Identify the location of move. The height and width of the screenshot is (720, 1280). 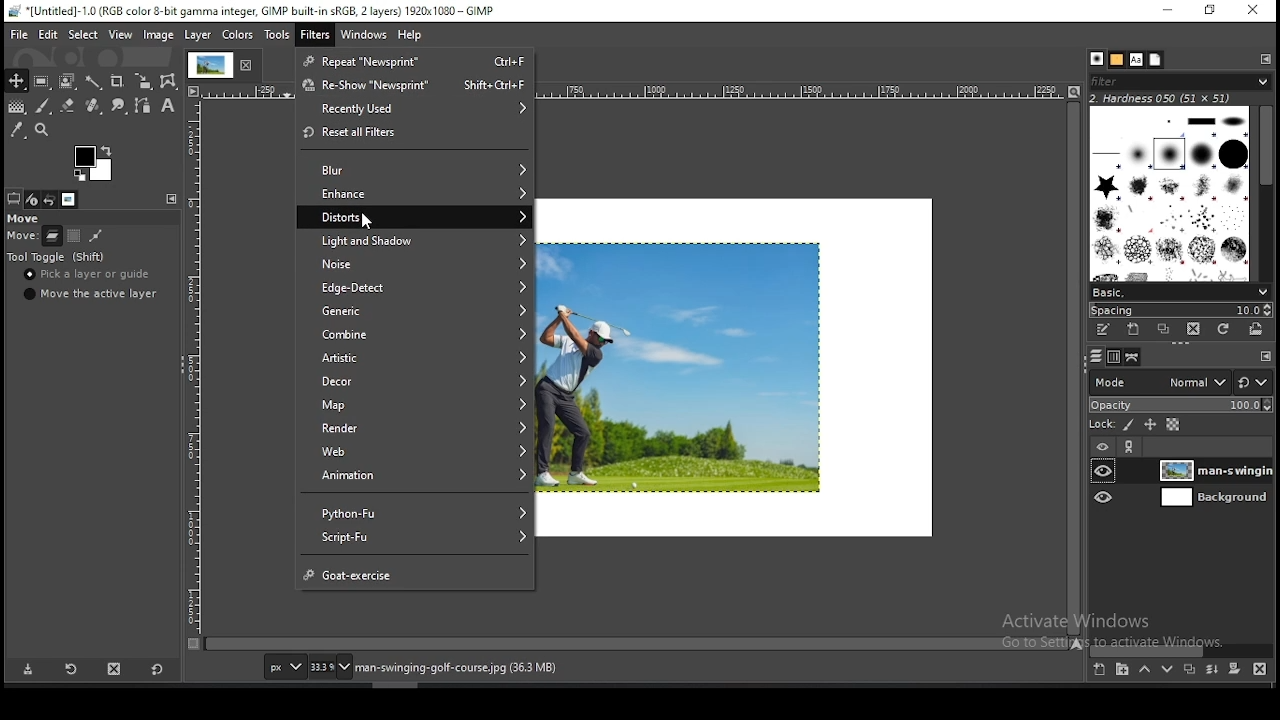
(26, 217).